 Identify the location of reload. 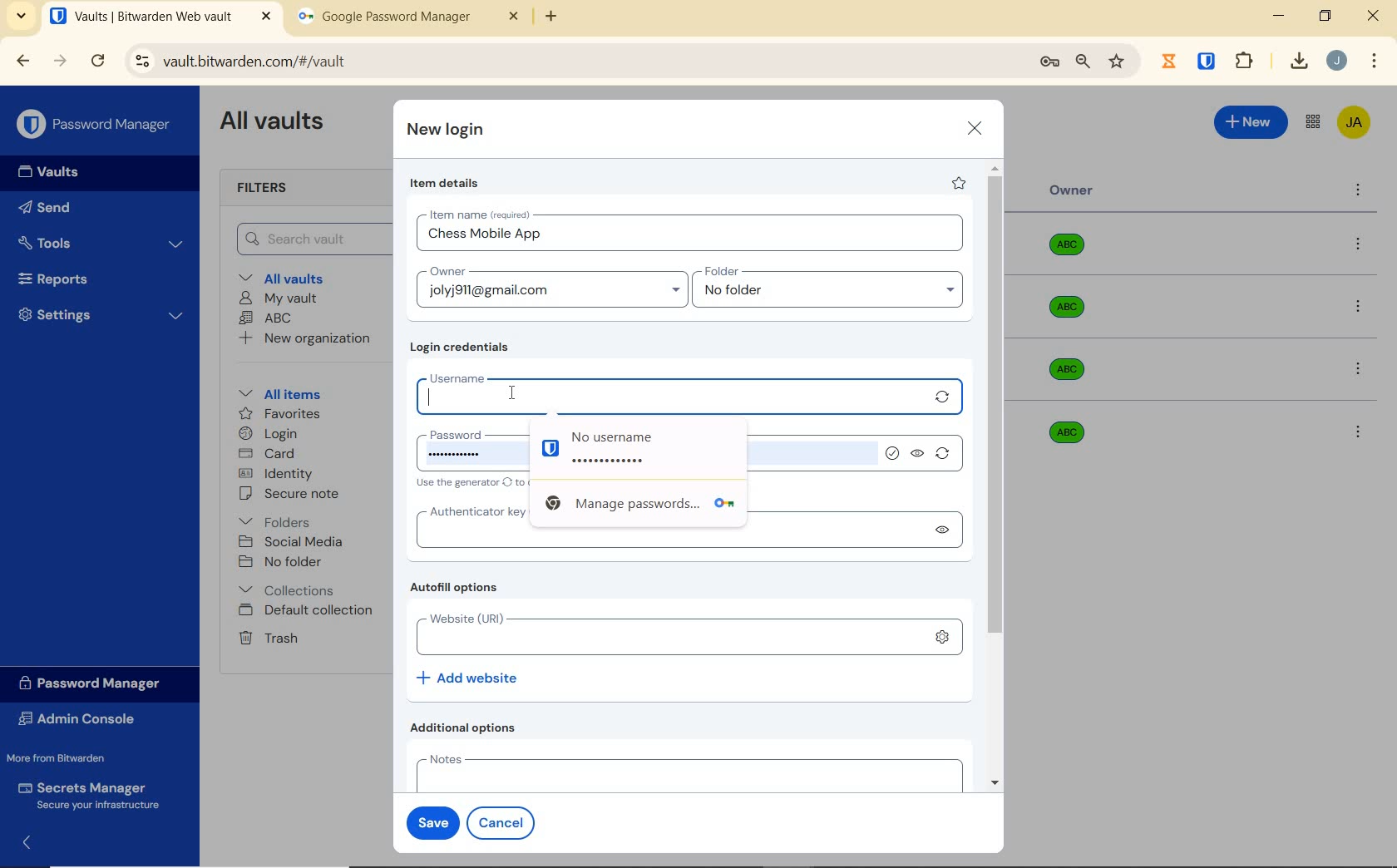
(97, 62).